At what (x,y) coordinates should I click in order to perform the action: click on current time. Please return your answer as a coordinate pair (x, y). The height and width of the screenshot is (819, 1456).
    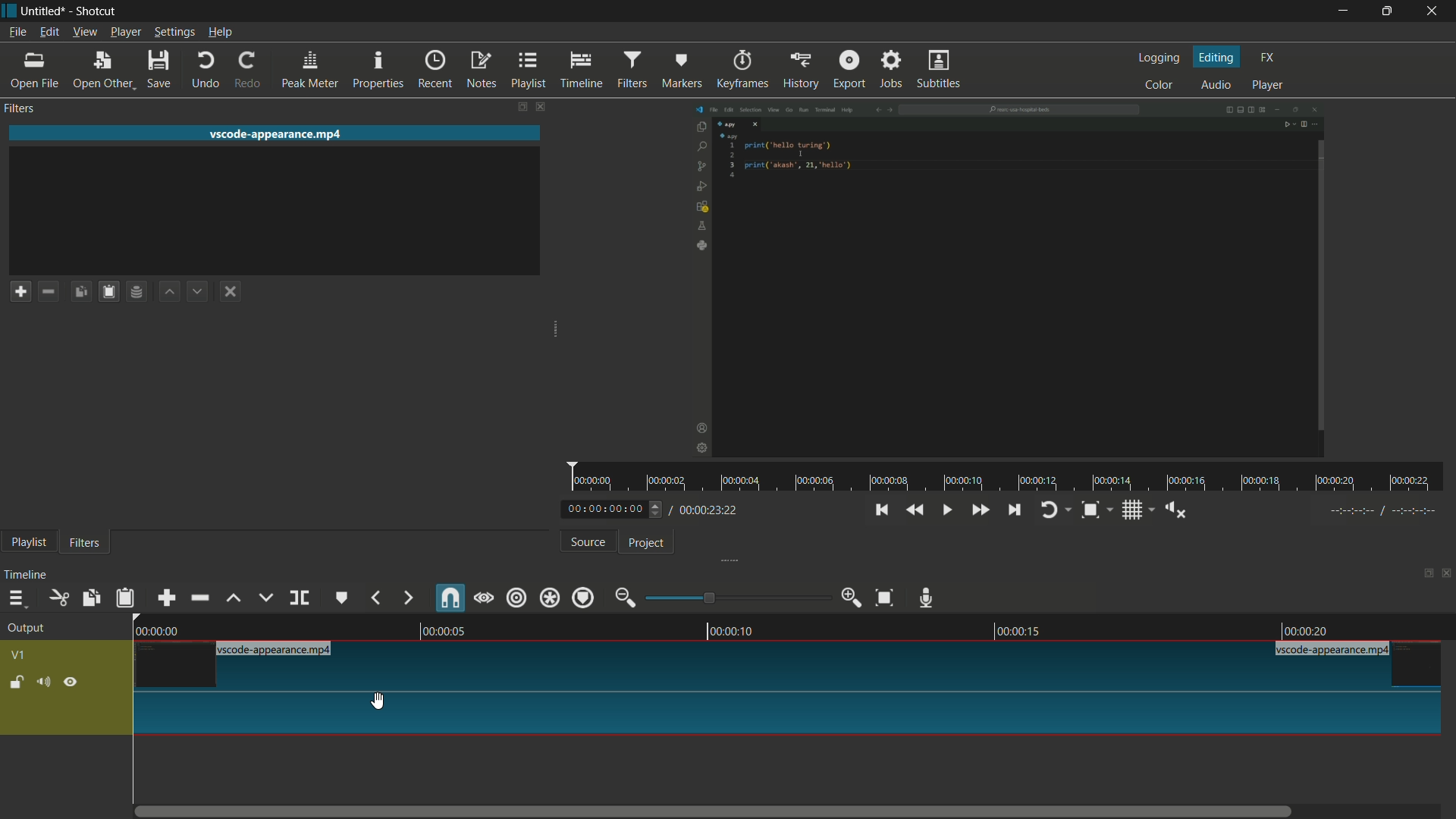
    Looking at the image, I should click on (611, 509).